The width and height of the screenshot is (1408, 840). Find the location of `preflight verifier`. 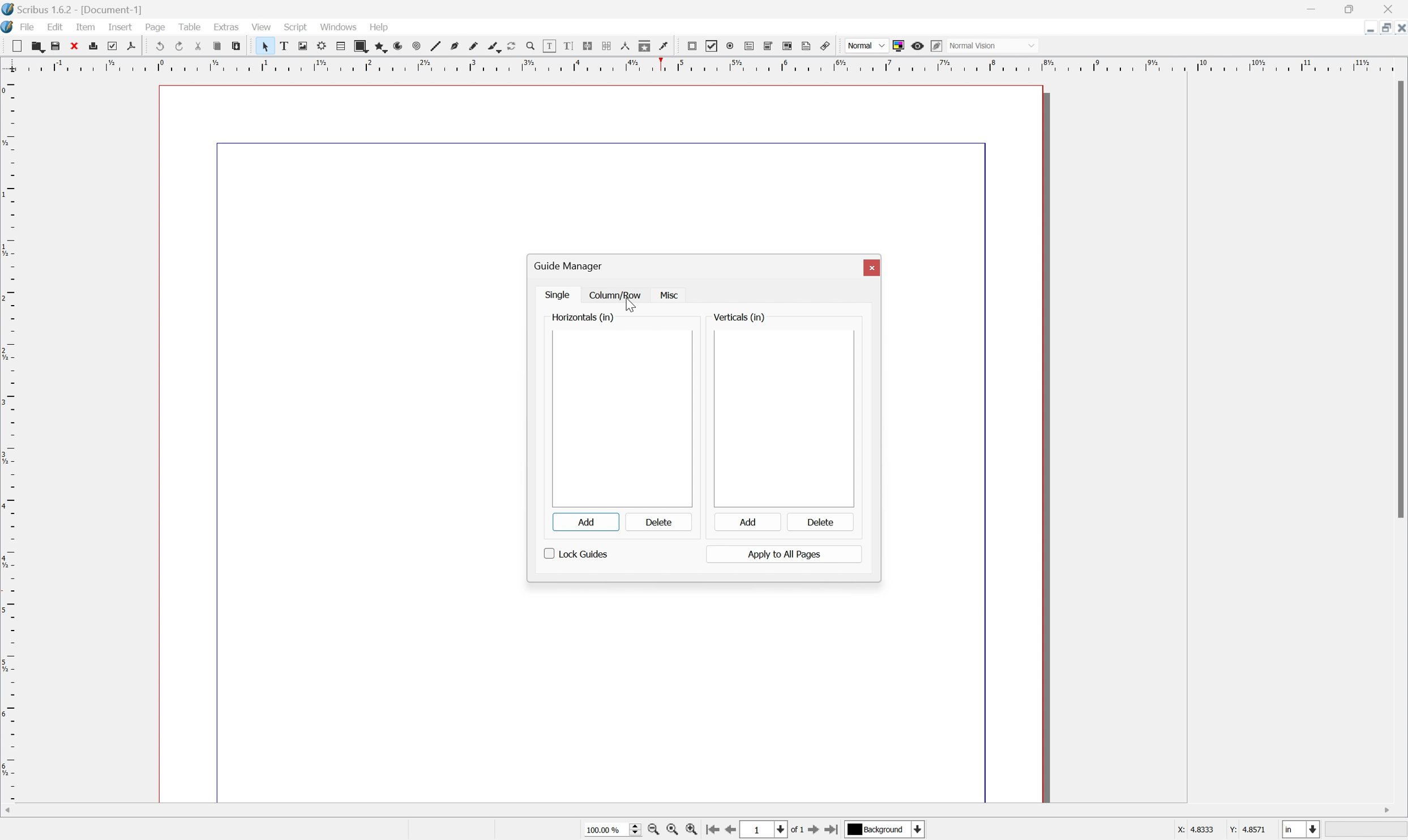

preflight verifier is located at coordinates (118, 46).